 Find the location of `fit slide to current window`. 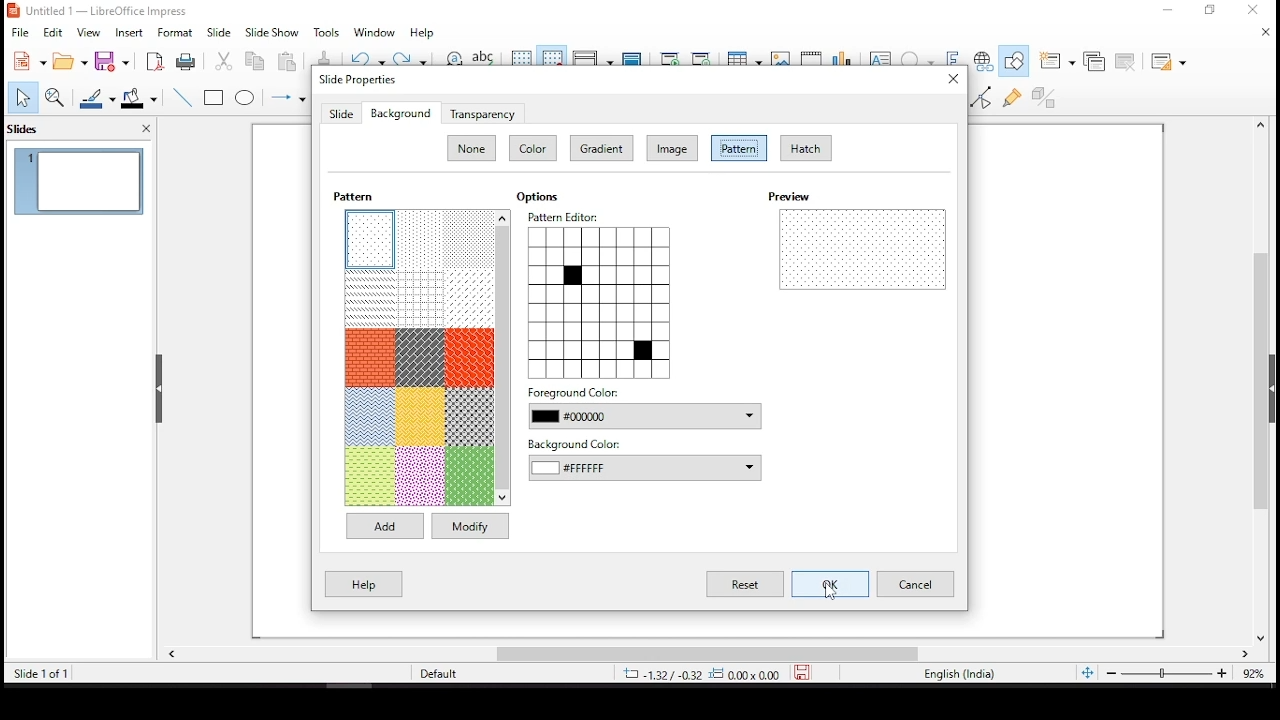

fit slide to current window is located at coordinates (1085, 671).